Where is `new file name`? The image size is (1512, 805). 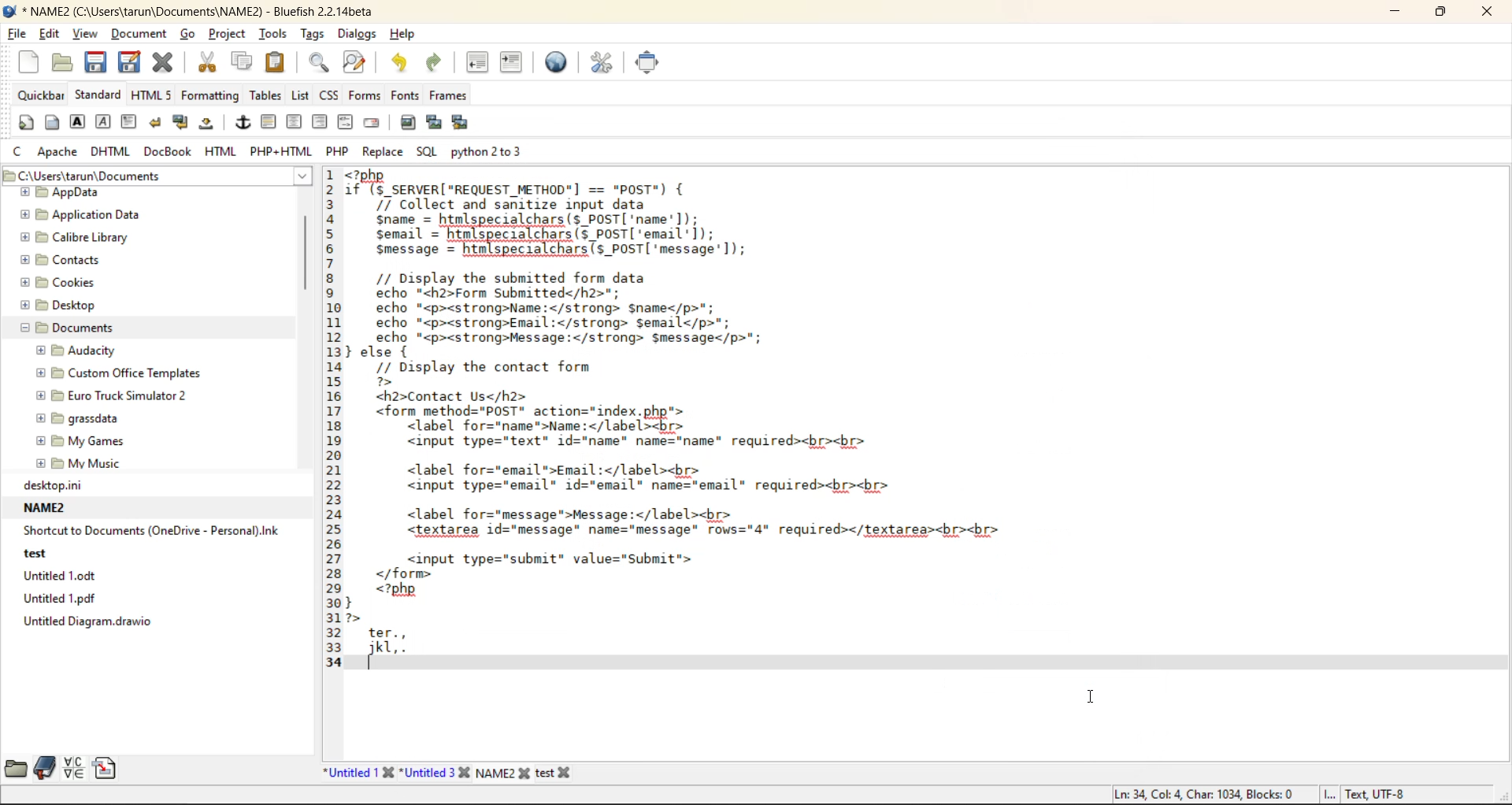
new file name is located at coordinates (494, 772).